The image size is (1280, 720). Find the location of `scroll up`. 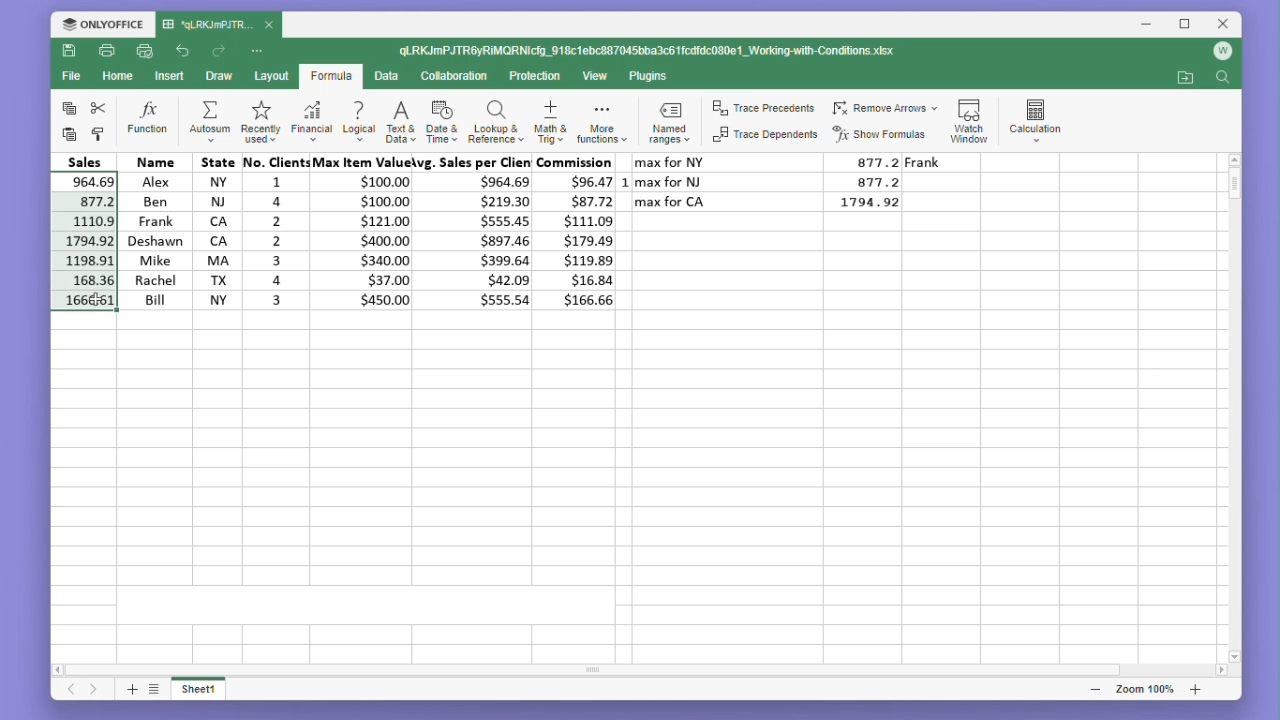

scroll up is located at coordinates (1234, 159).